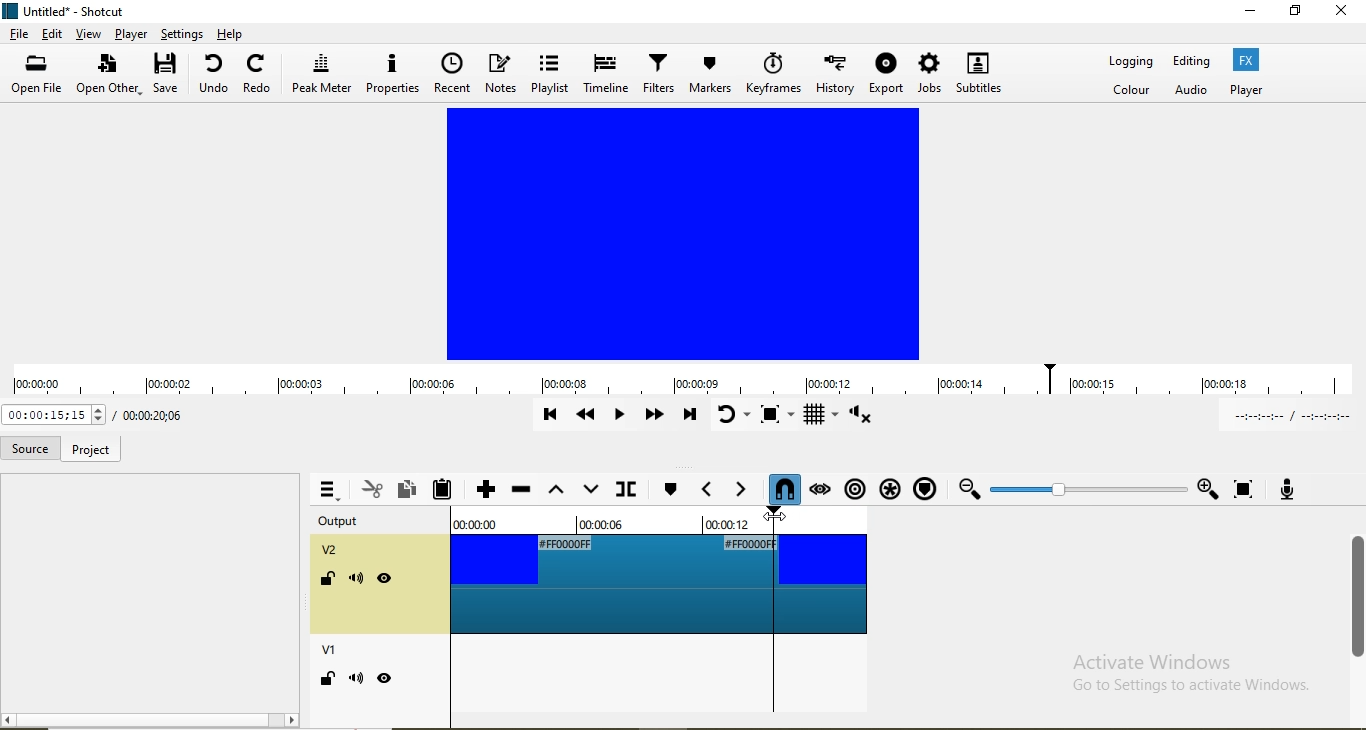 The image size is (1366, 730). I want to click on open file, so click(40, 76).